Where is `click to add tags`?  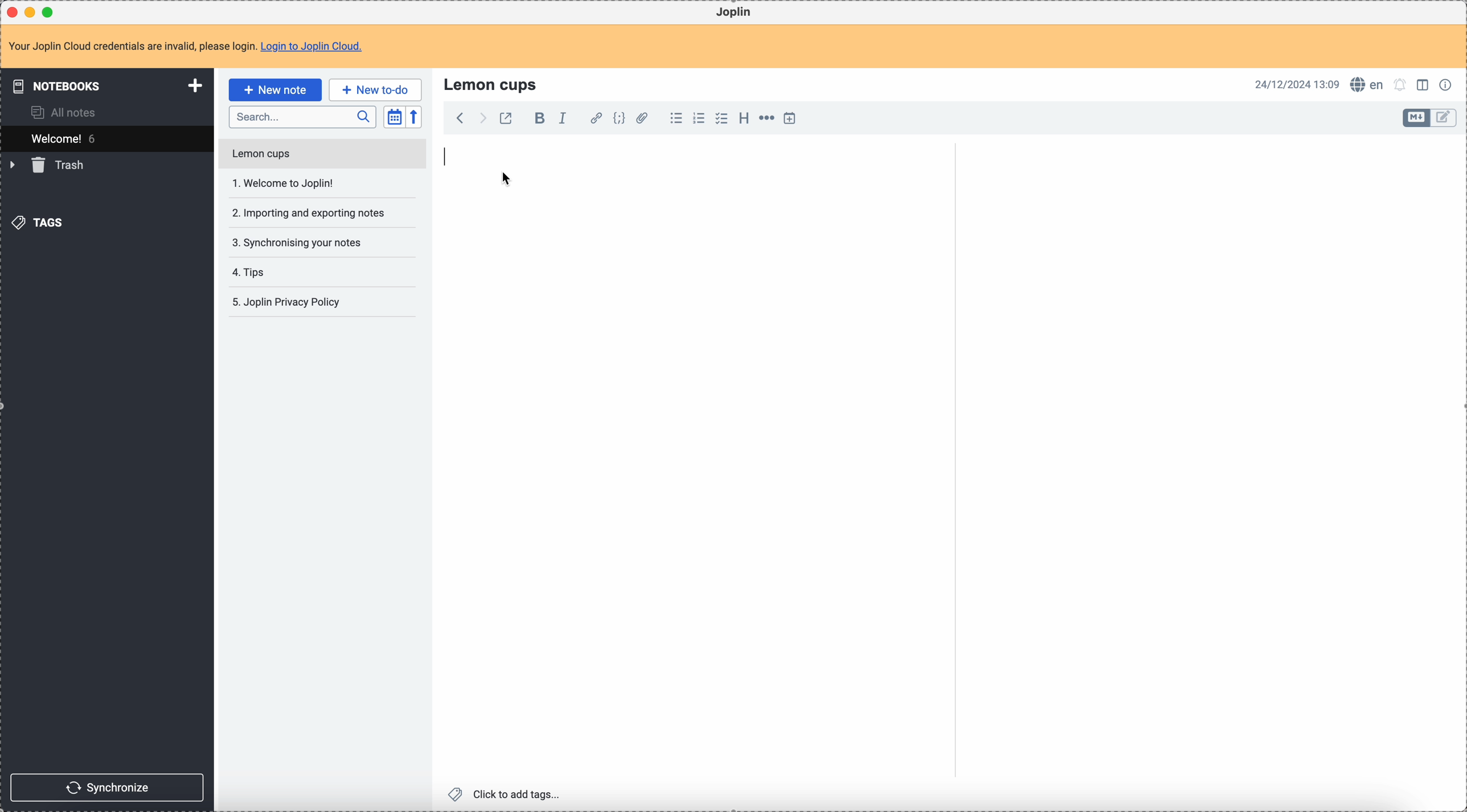 click to add tags is located at coordinates (507, 793).